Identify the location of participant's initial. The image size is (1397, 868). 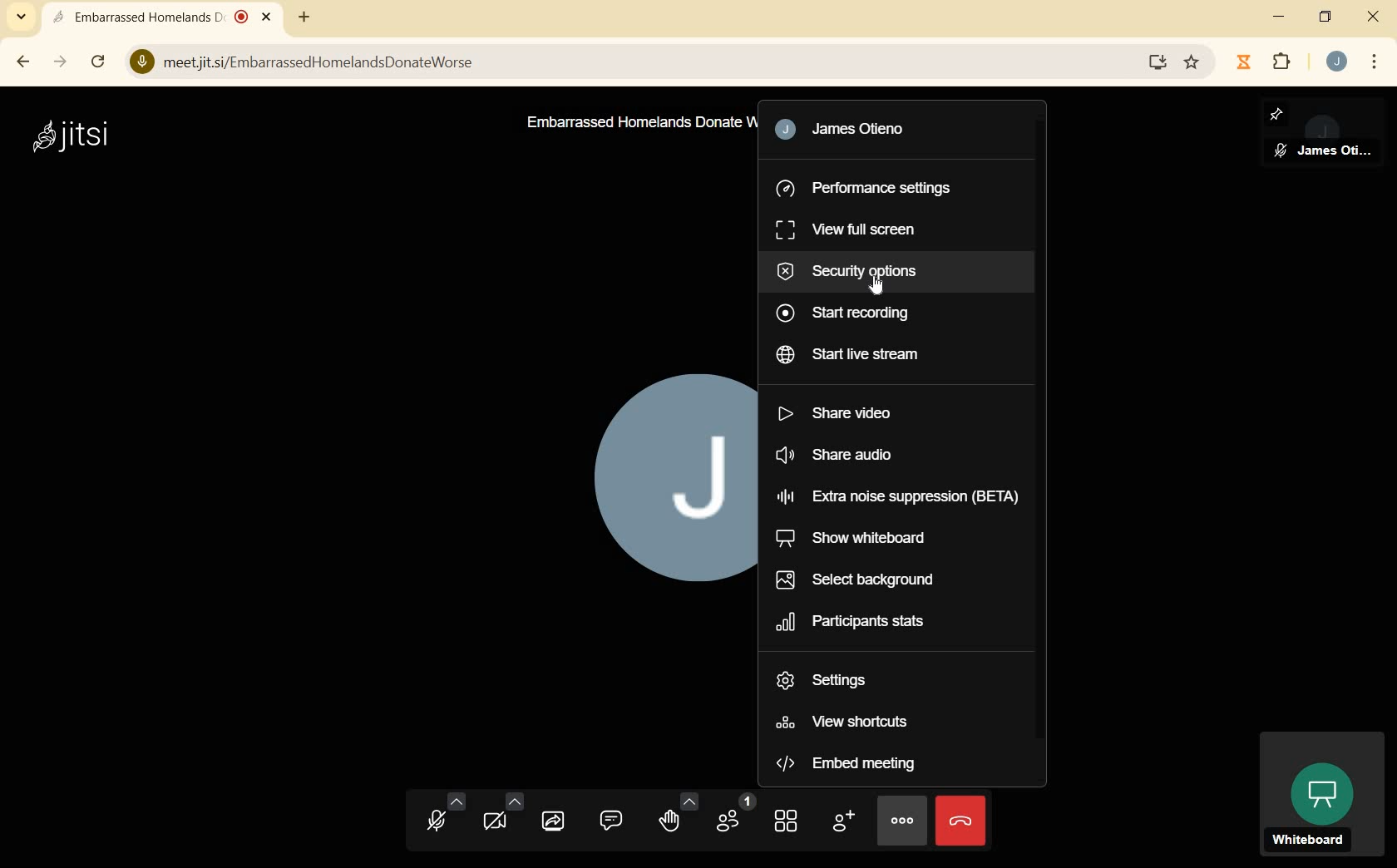
(658, 491).